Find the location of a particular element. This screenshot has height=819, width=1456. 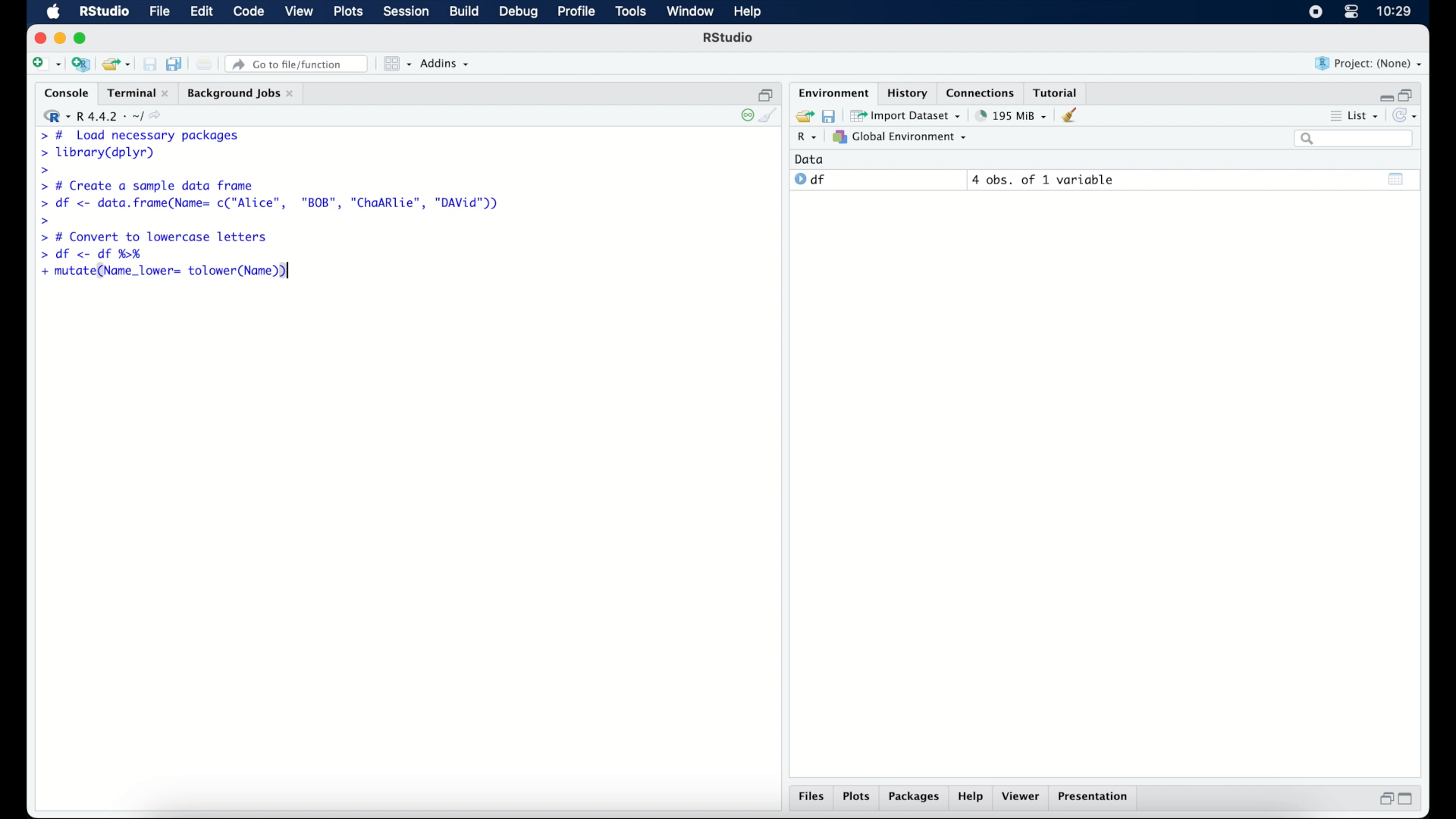

viewer is located at coordinates (1024, 798).